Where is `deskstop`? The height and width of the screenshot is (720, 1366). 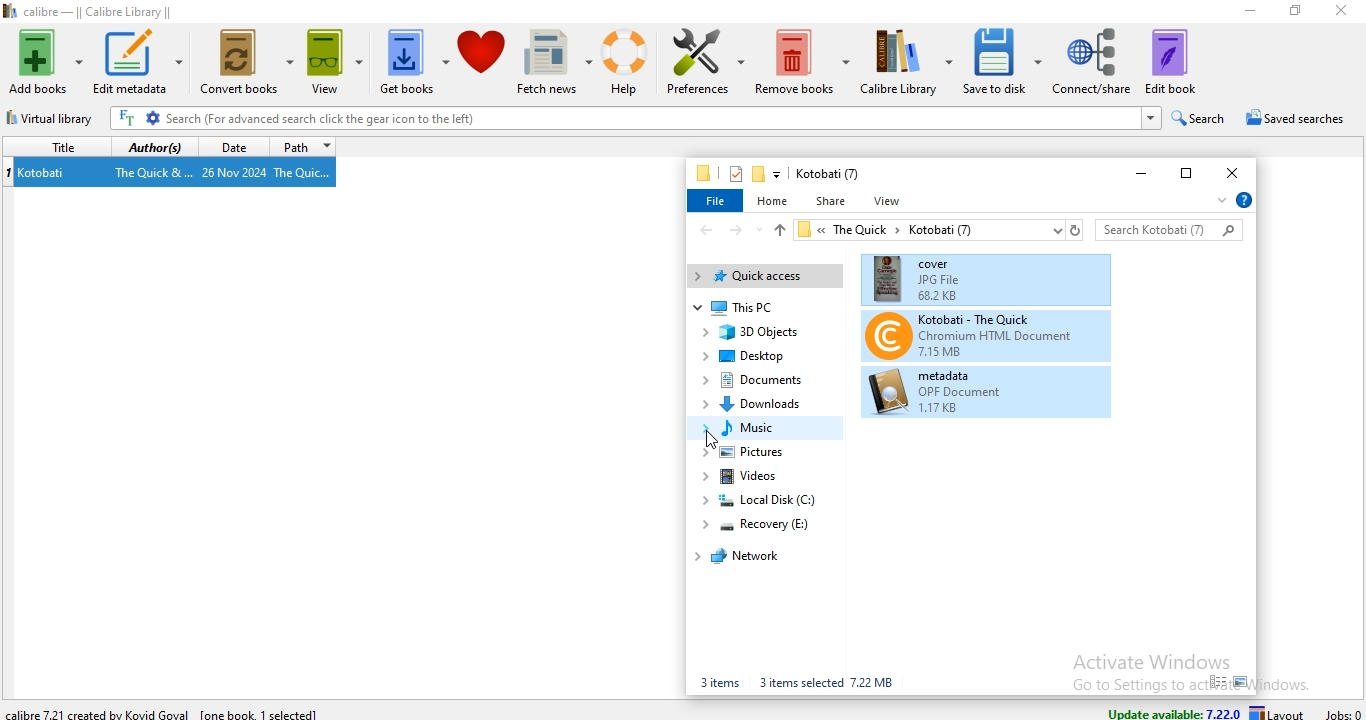
deskstop is located at coordinates (752, 356).